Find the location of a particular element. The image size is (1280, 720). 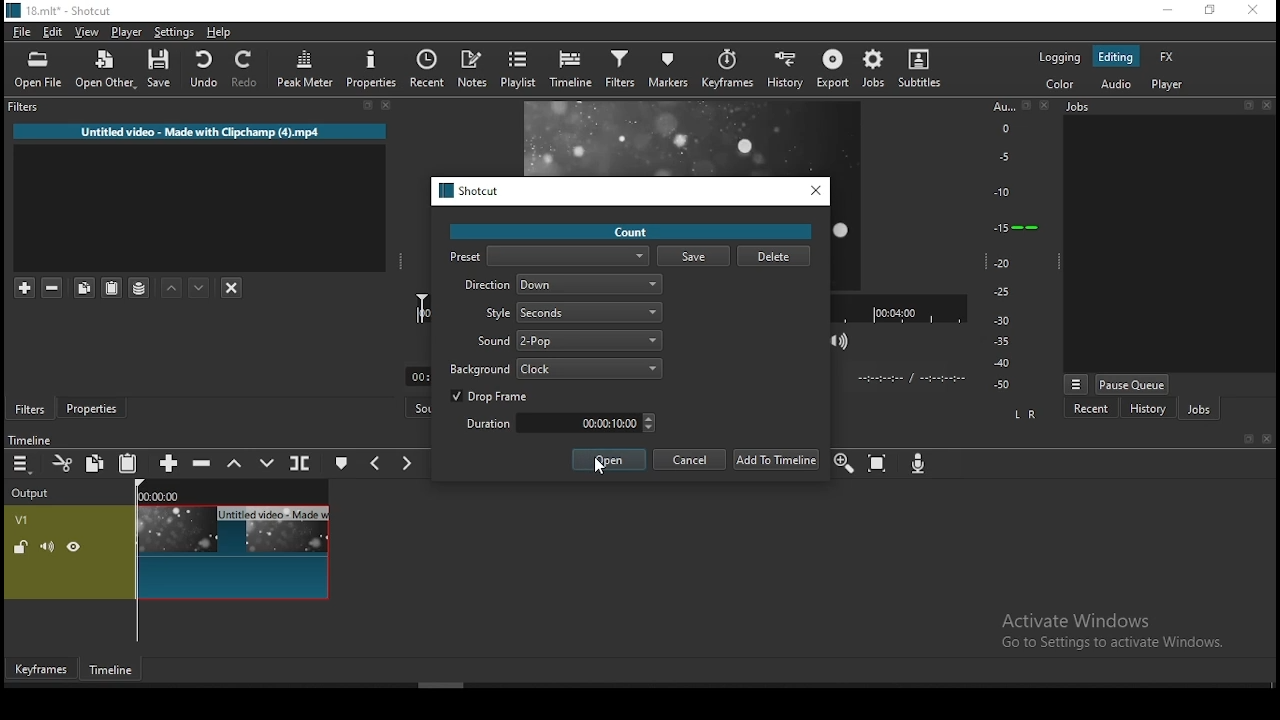

delete is located at coordinates (775, 257).